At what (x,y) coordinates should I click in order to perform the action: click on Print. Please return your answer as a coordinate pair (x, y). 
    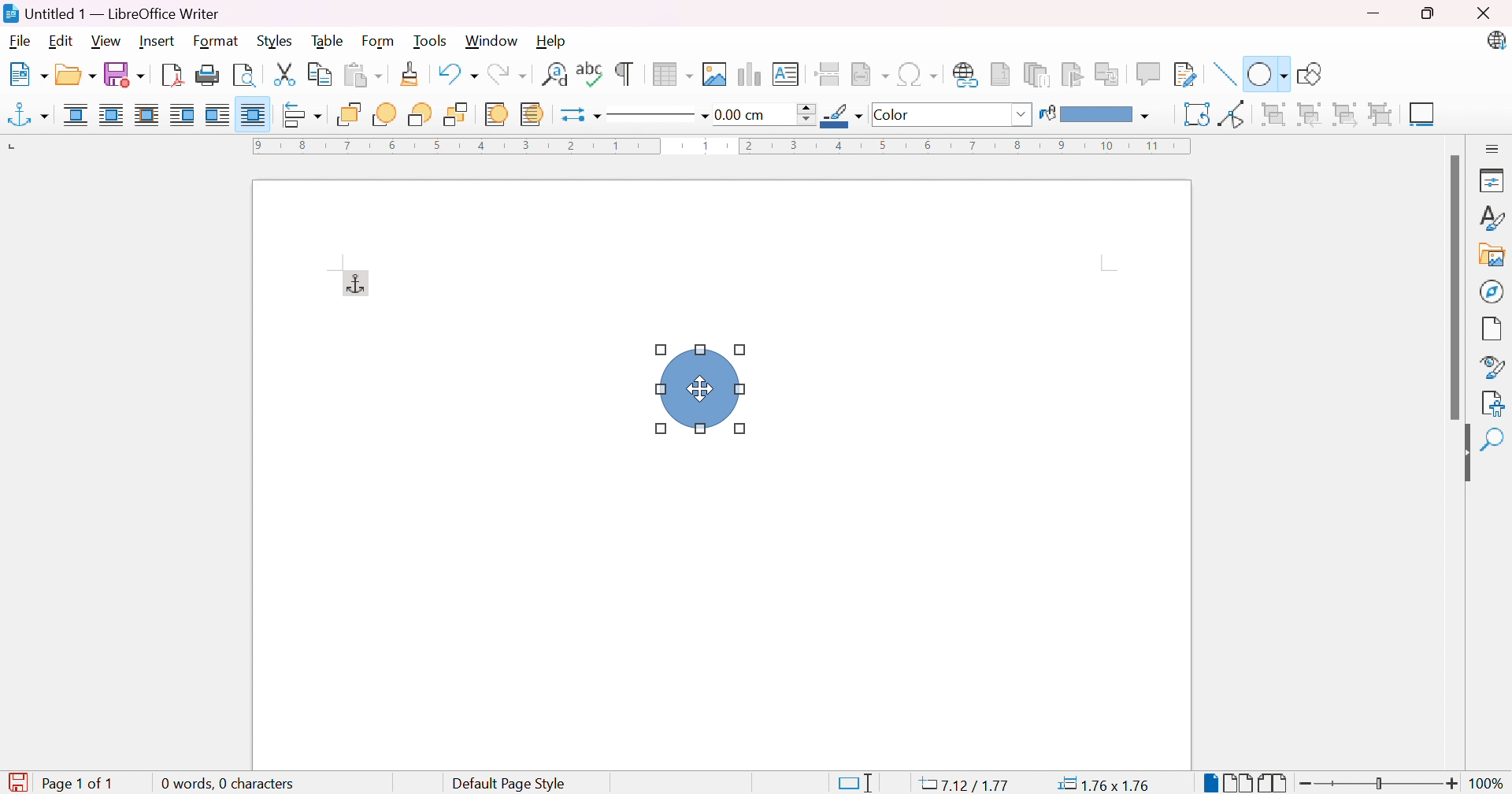
    Looking at the image, I should click on (209, 74).